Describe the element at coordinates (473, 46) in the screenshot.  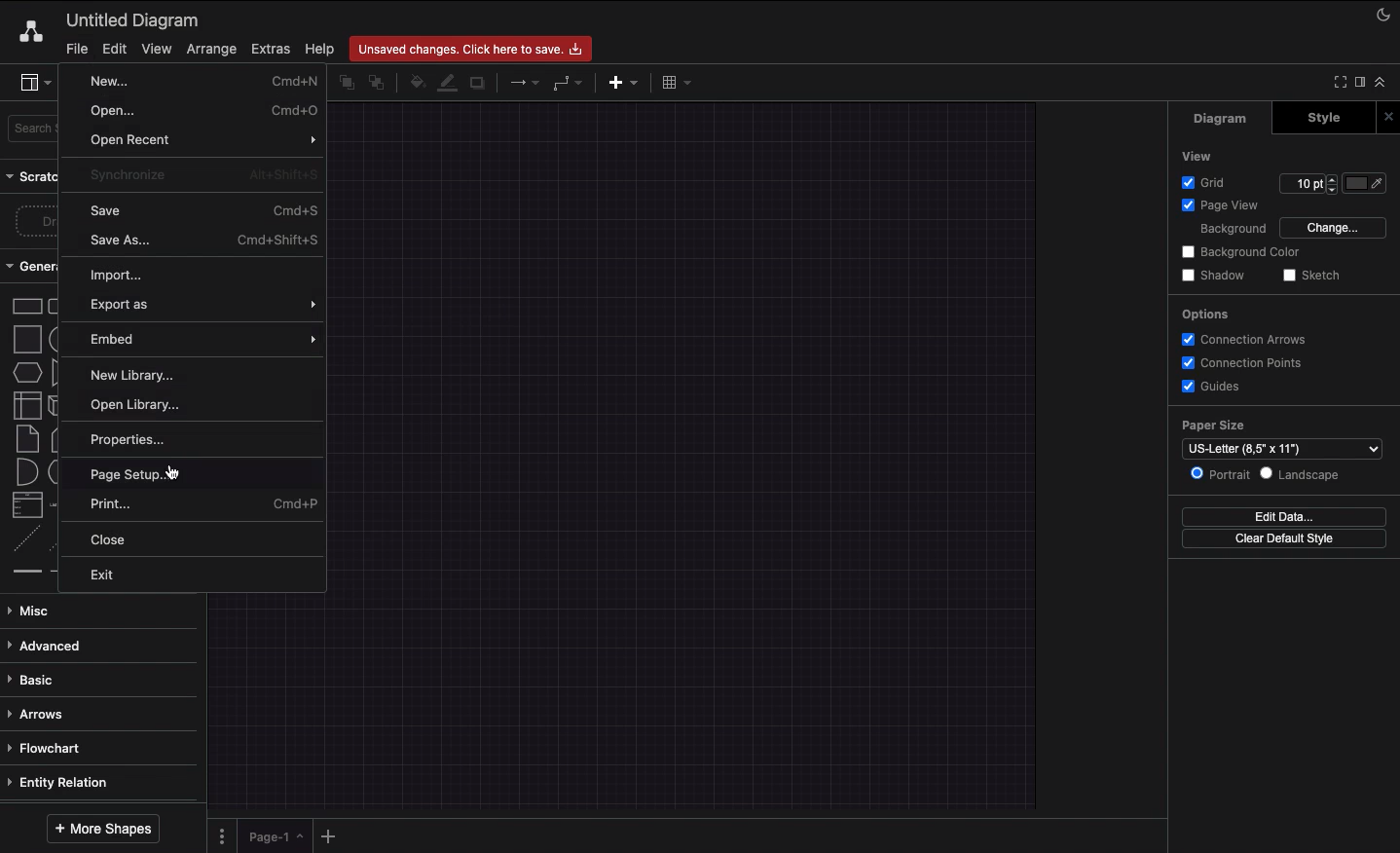
I see `Unsaved changes. Click here to save.` at that location.